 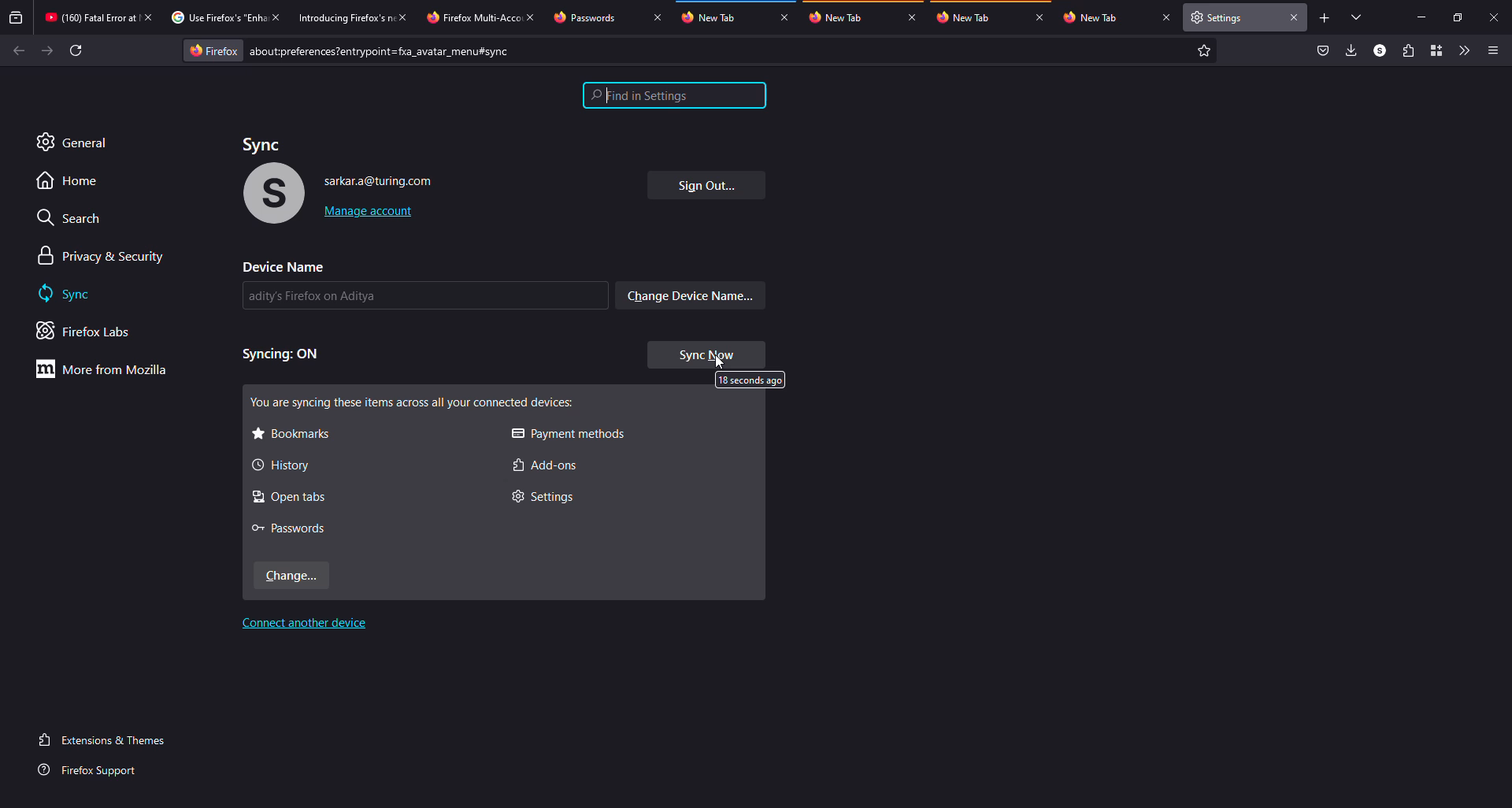 What do you see at coordinates (261, 145) in the screenshot?
I see `sync` at bounding box center [261, 145].